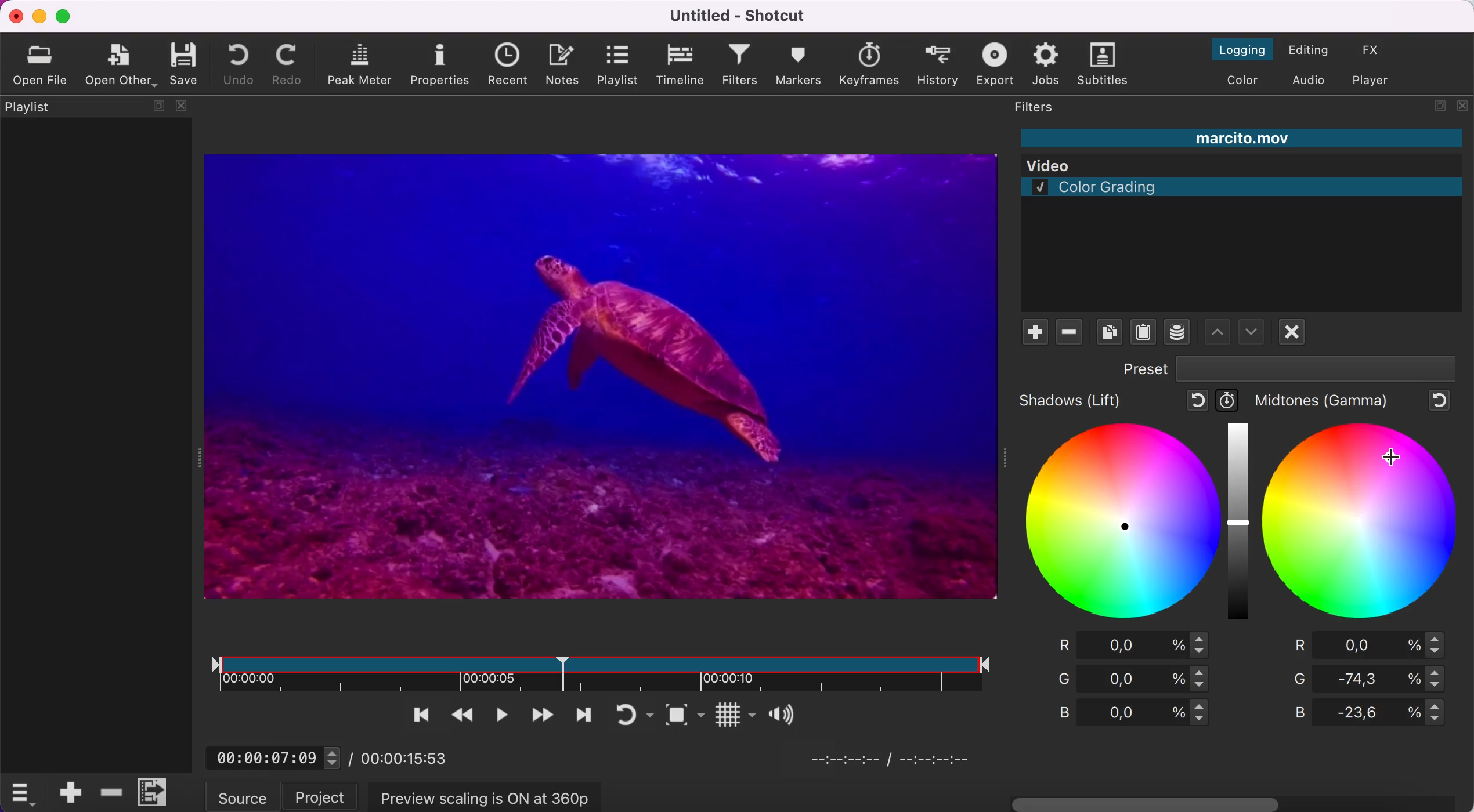 The height and width of the screenshot is (812, 1474). What do you see at coordinates (1231, 49) in the screenshot?
I see `switch to the logging layout` at bounding box center [1231, 49].